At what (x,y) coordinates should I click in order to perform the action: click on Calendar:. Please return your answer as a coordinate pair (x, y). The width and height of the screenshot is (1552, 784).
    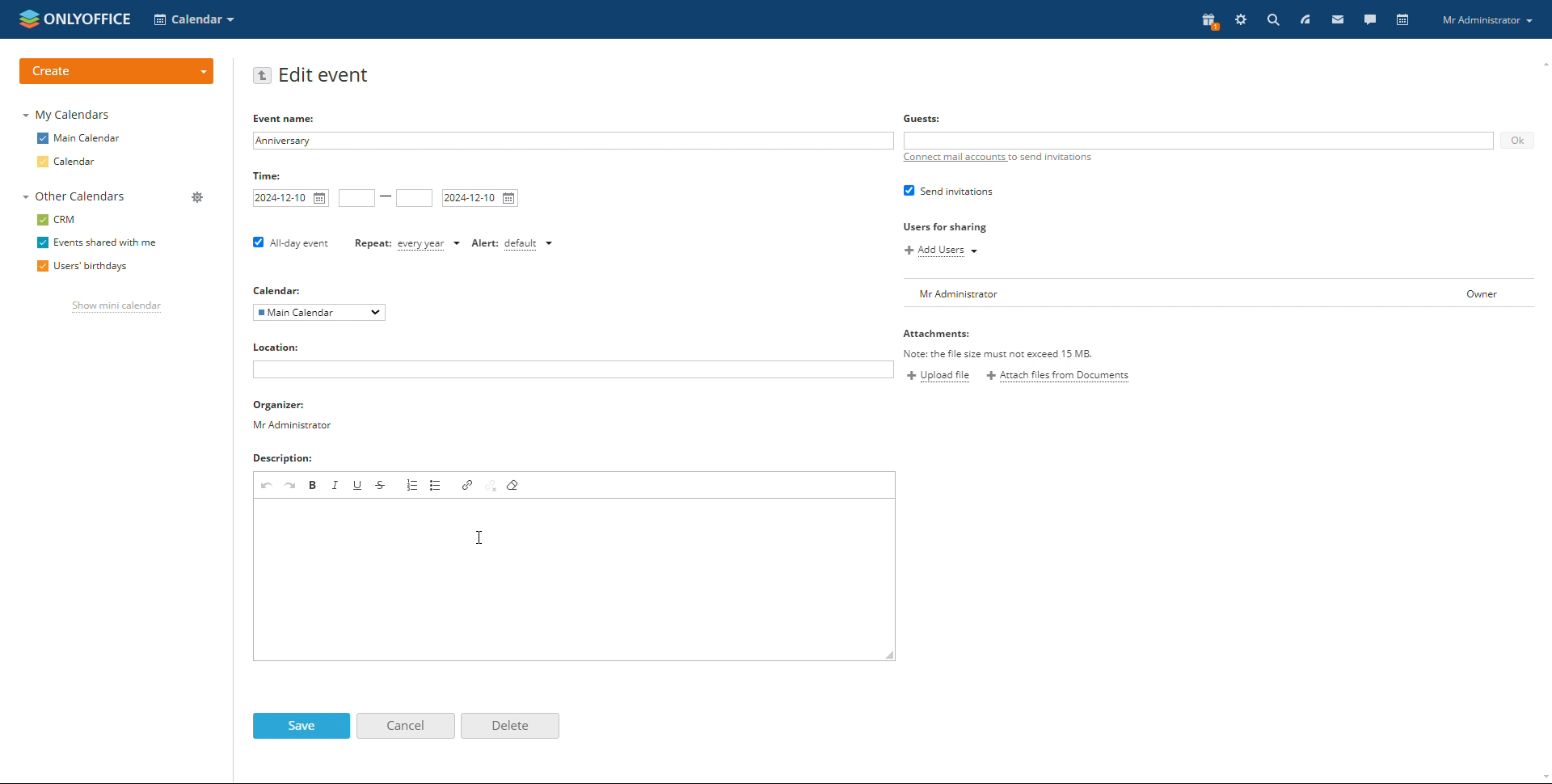
    Looking at the image, I should click on (282, 289).